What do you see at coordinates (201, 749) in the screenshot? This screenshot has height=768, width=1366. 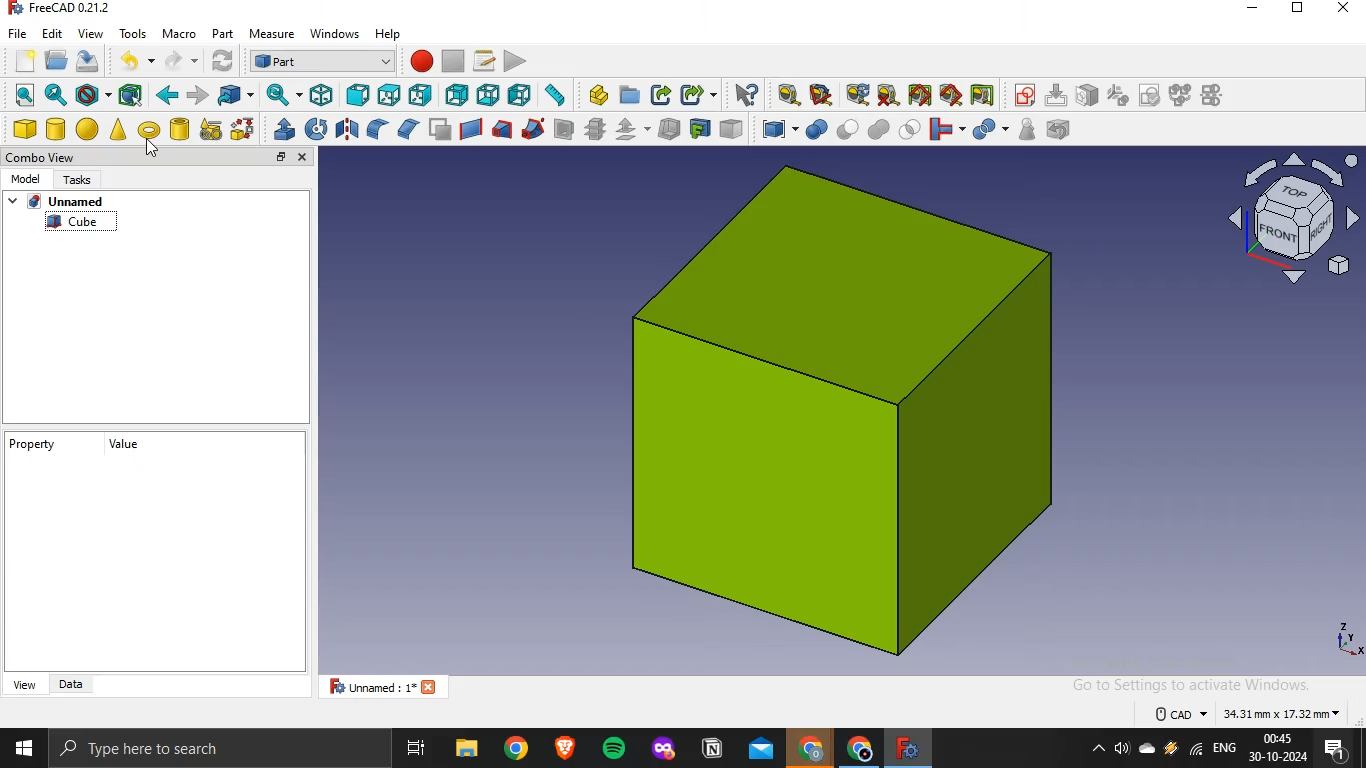 I see `type here to search` at bounding box center [201, 749].